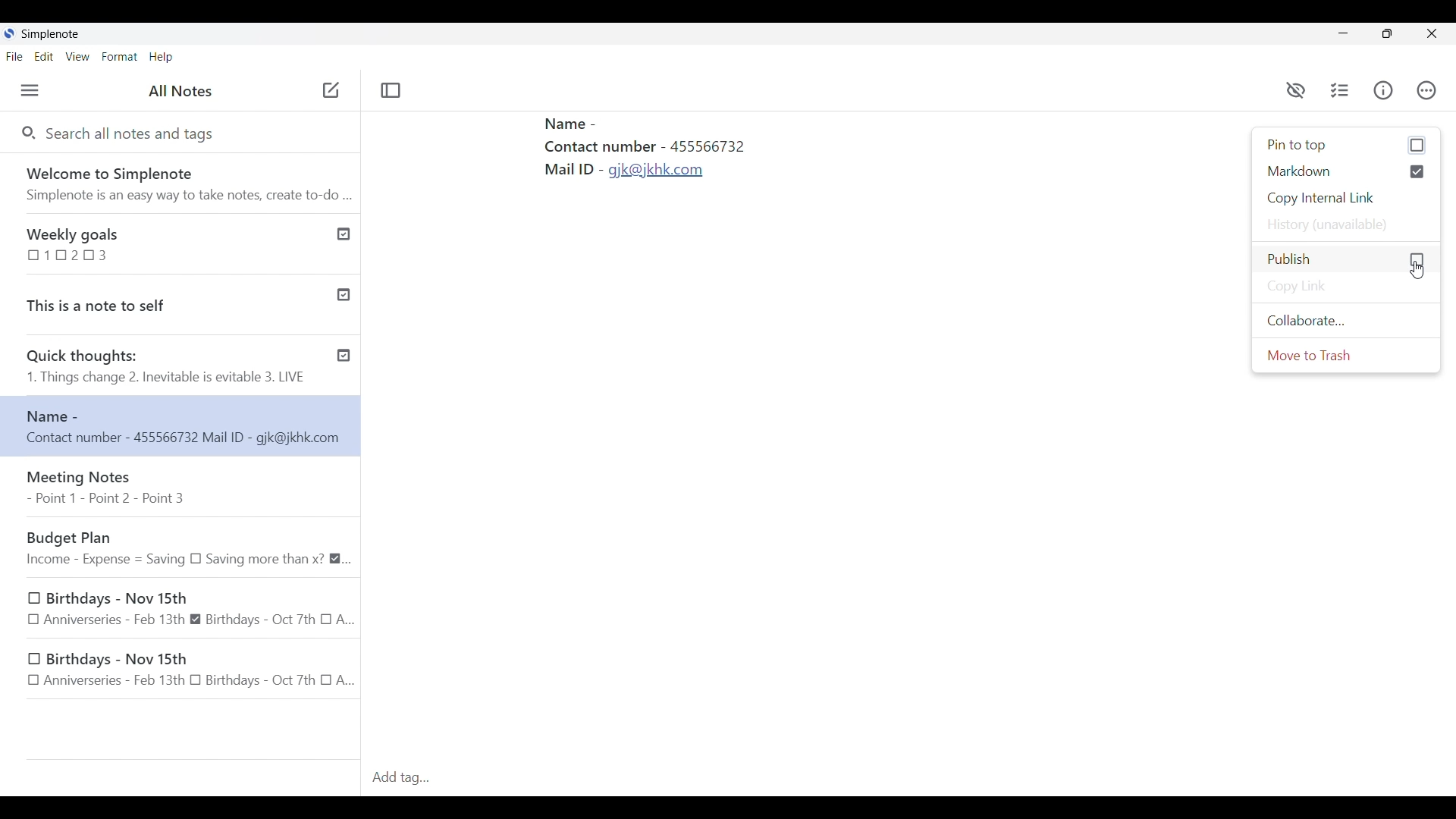  I want to click on Software name, so click(50, 34).